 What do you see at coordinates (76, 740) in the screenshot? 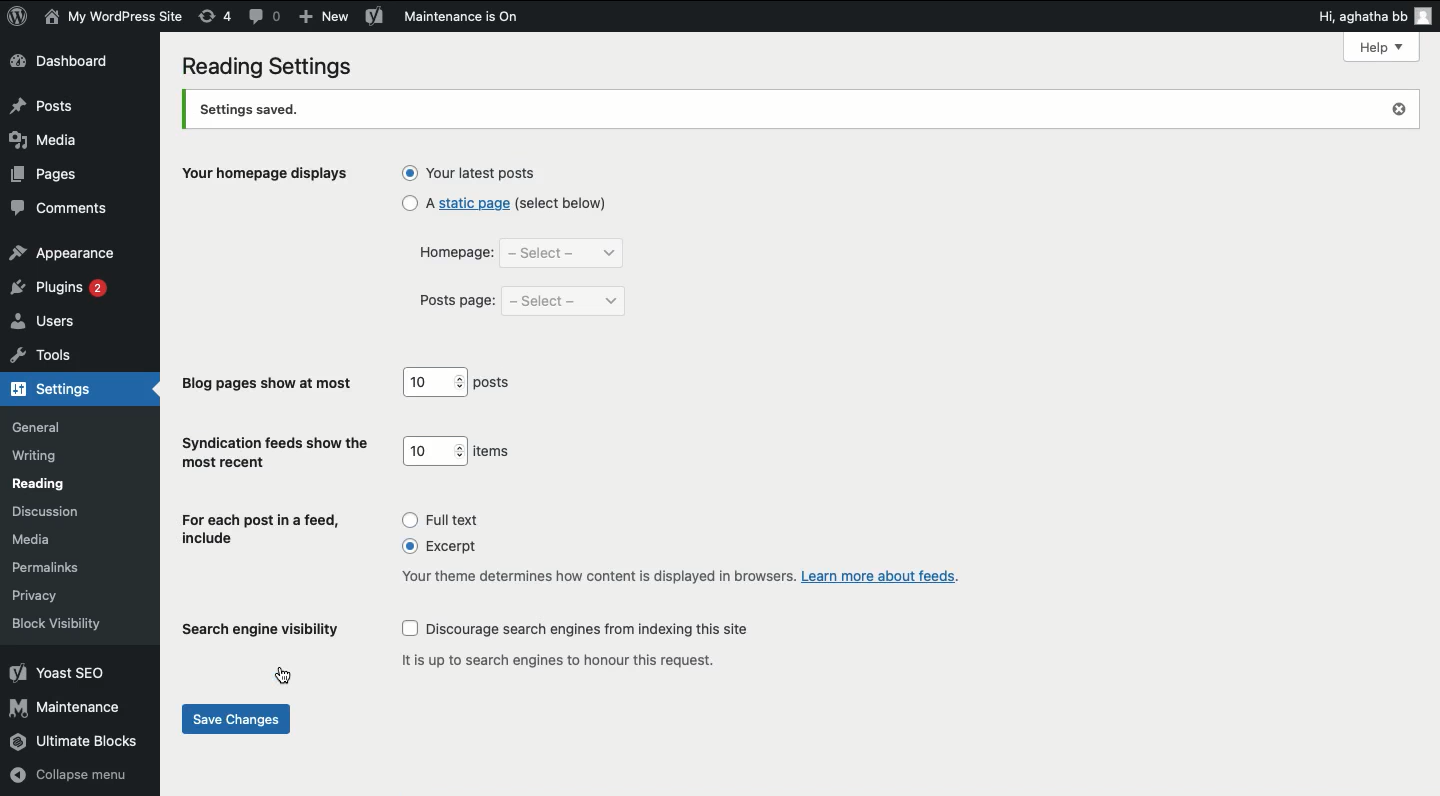
I see `ultimate blocks` at bounding box center [76, 740].